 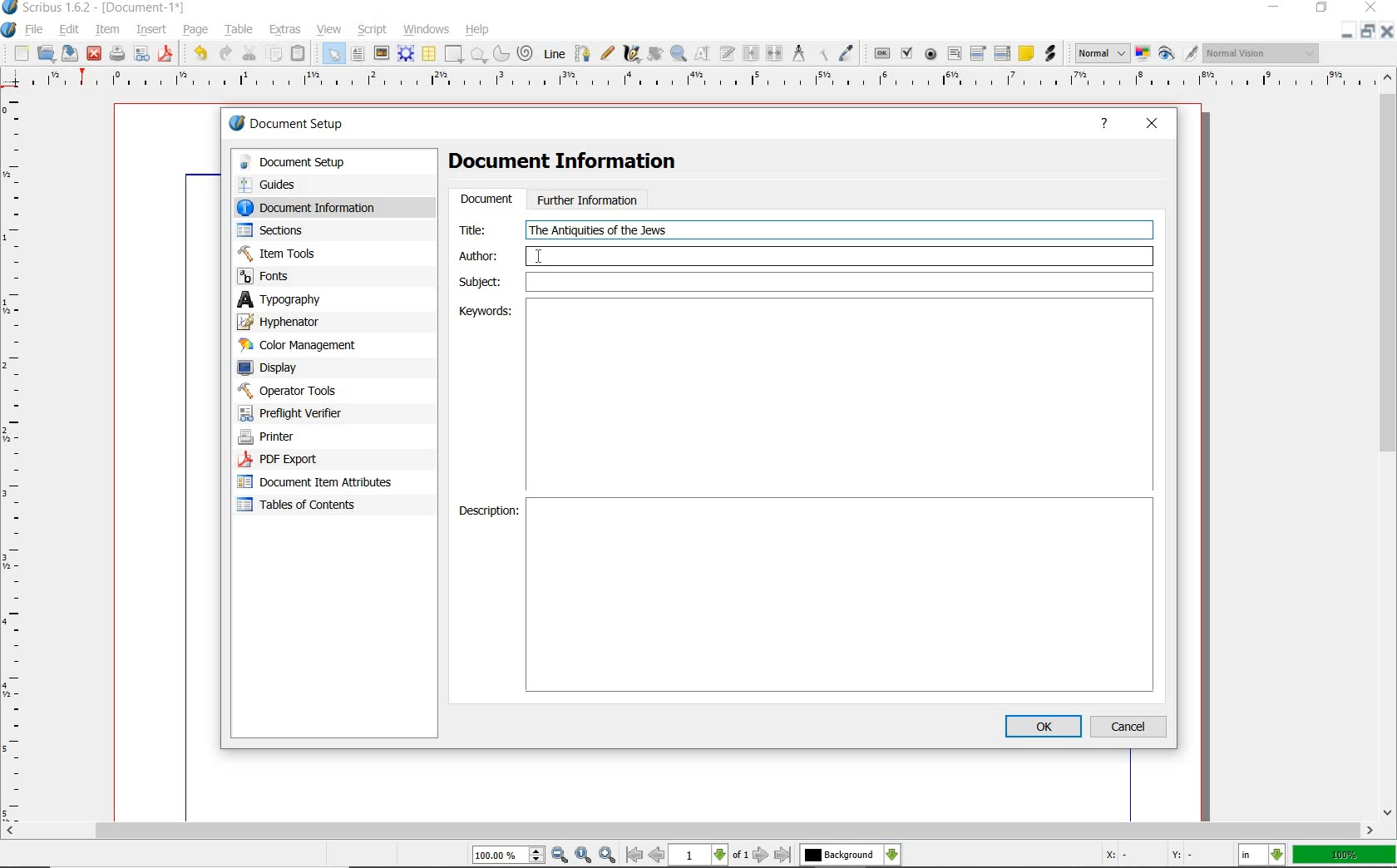 What do you see at coordinates (1043, 726) in the screenshot?
I see `ok` at bounding box center [1043, 726].